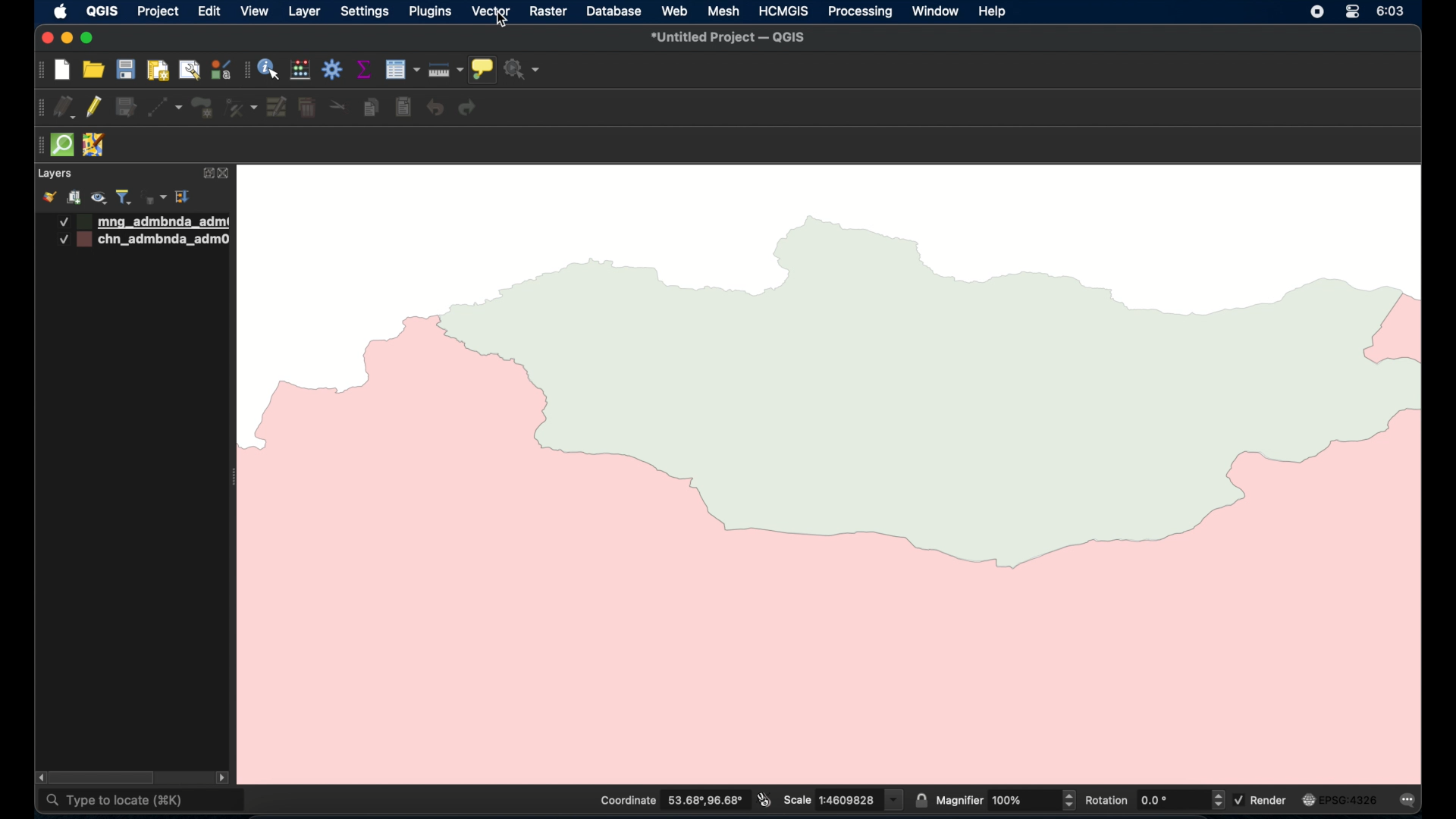  What do you see at coordinates (155, 197) in the screenshot?
I see `filter legend by expression` at bounding box center [155, 197].